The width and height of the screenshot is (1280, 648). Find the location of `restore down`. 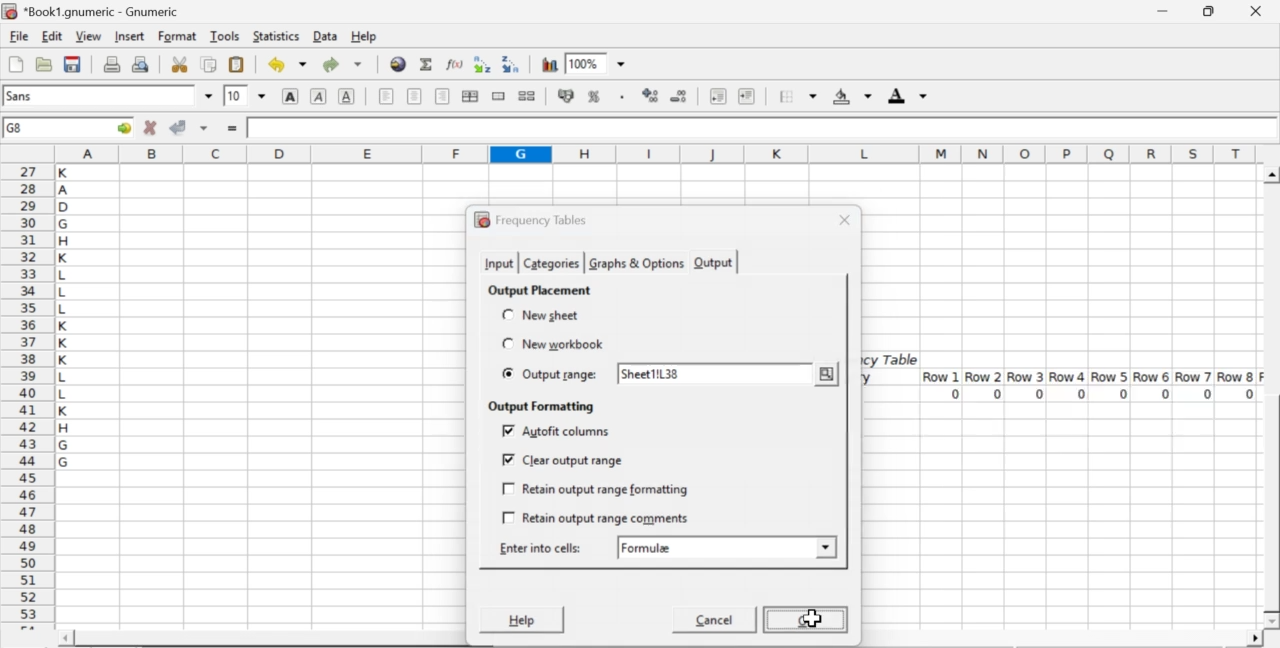

restore down is located at coordinates (1210, 12).